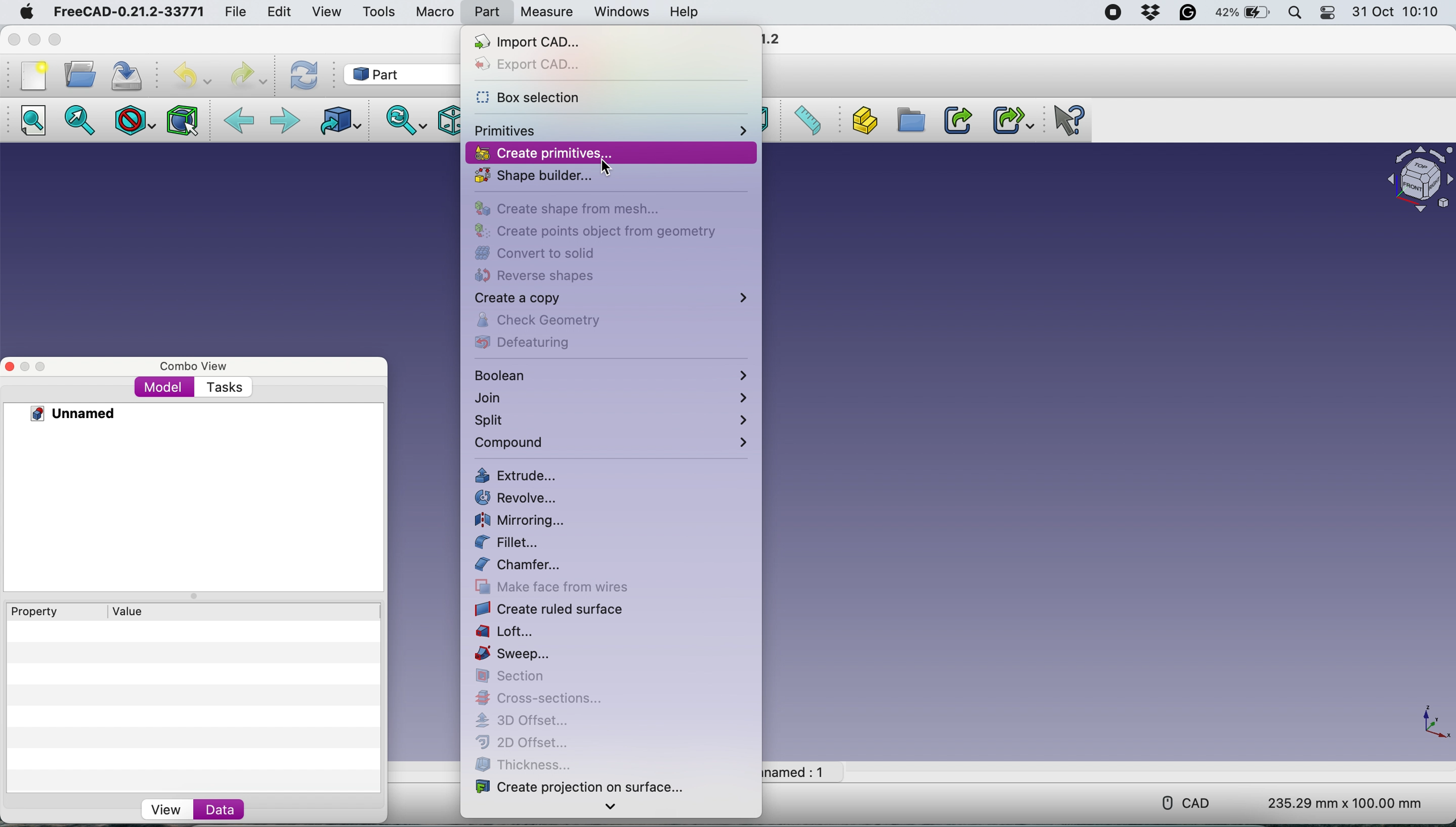 This screenshot has width=1456, height=827. I want to click on Make sub-link, so click(1006, 120).